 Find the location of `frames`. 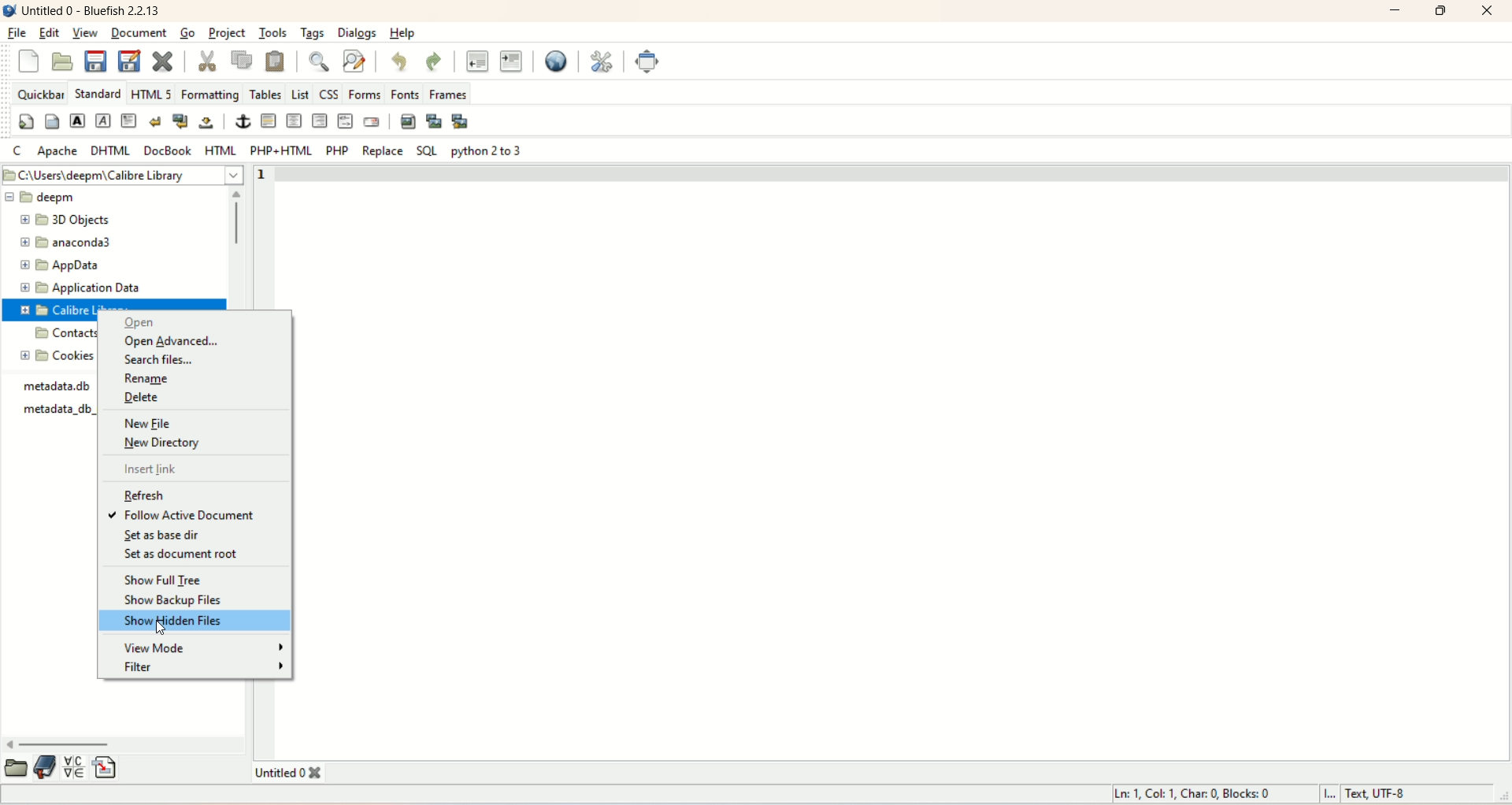

frames is located at coordinates (450, 95).